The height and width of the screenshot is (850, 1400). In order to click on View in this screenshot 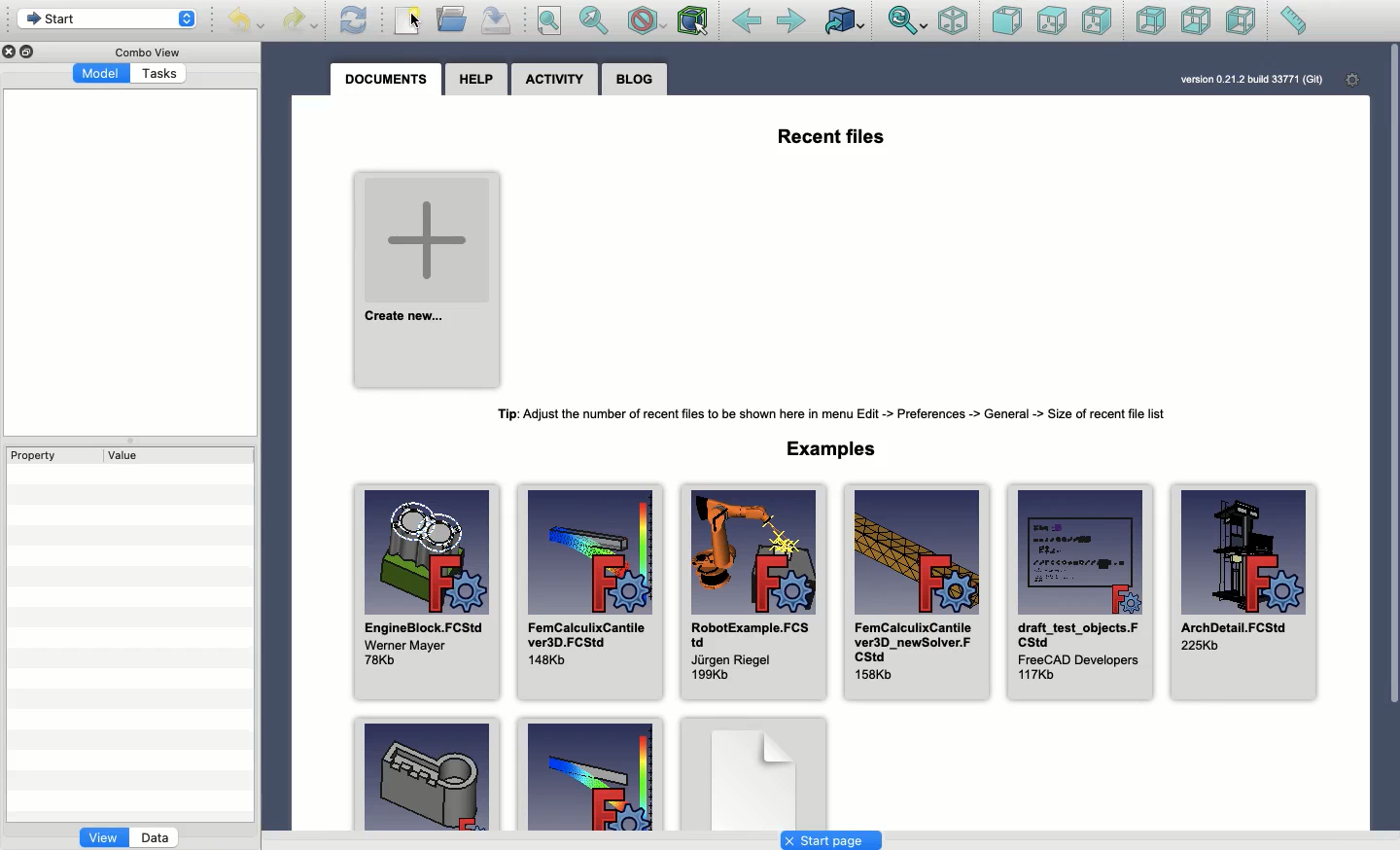, I will do `click(103, 840)`.